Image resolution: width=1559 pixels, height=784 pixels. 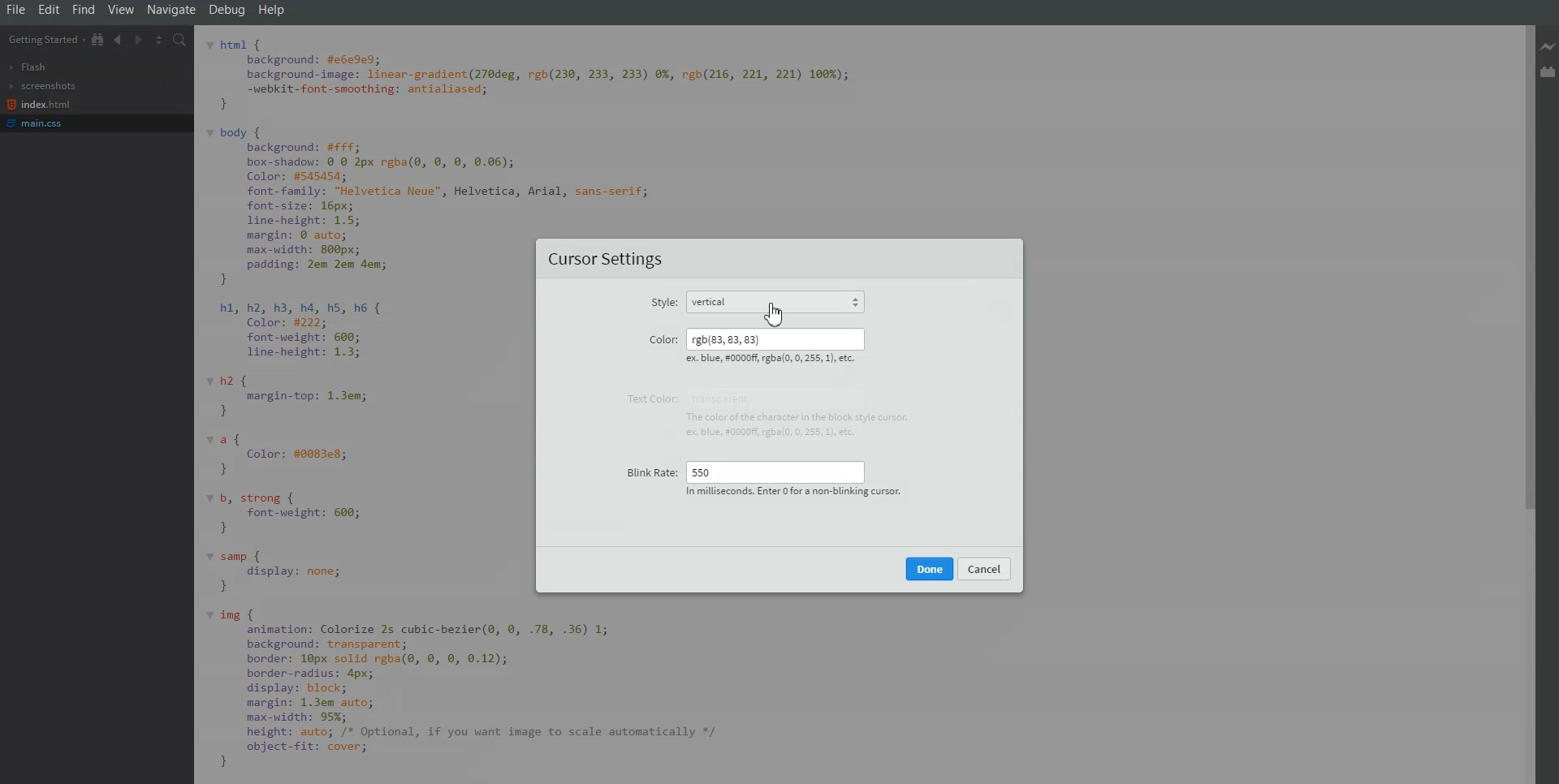 What do you see at coordinates (98, 39) in the screenshot?
I see `Show in File Tree` at bounding box center [98, 39].